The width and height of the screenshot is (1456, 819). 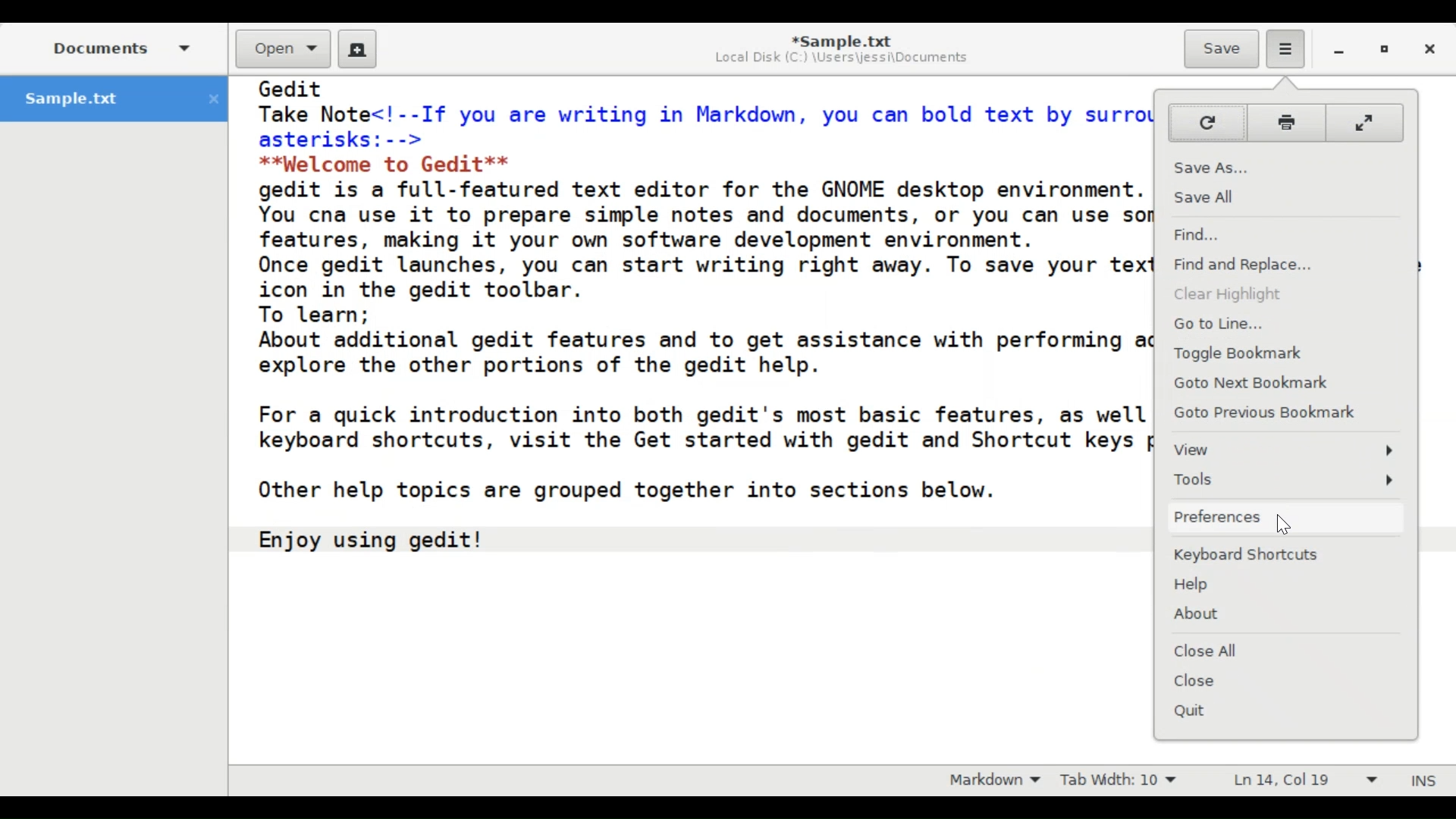 What do you see at coordinates (1287, 49) in the screenshot?
I see `Application menu` at bounding box center [1287, 49].